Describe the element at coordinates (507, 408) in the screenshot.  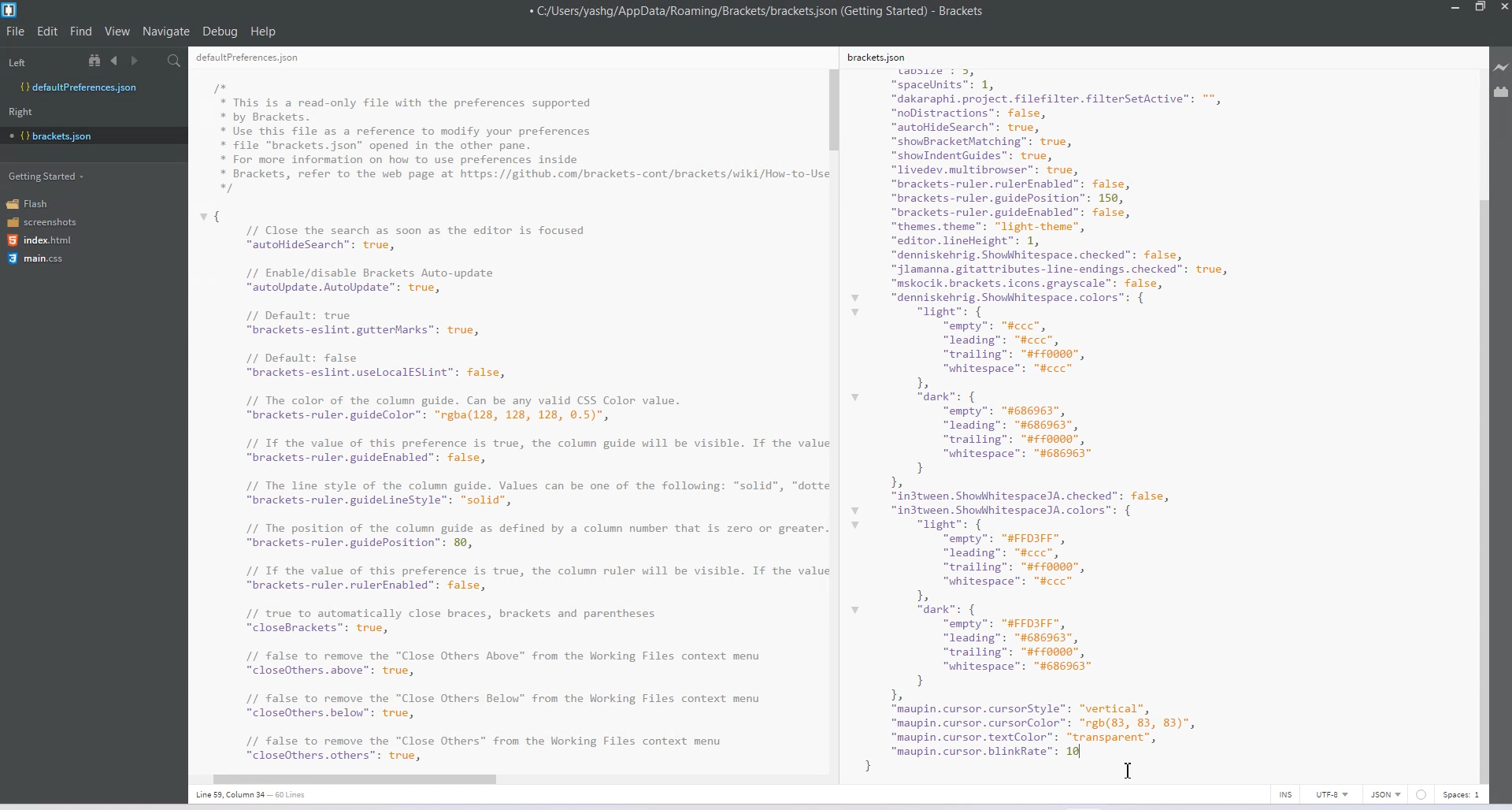
I see `RE I
I”
* This is a read-only file with the preferences supported
* by Brackets.
* Use this file as a reference to modify your preferences
* file "brackets.json" opened in the other pane.
* For more information on how to use preferences inside
* Brackets, refer to the web page at https://github.com/brackets-cont/brackets/wiki/How-to-U:
*/
{
// Close the search as soon as the editor is focused
“autoHideSearch”: true,
// Enable/disable Brackets Auto-update
“autoUpdate. AutoUpdate”: true,
// Default: true
“brackets-eslint.gutterMarks": true,
// Default: false
“brackets-eslint.uselocalESLint": false,
// The color of the column guide. Can be any valid CSS Color value.
“brackets-ruler.guideColor": "rgba(128, 128, 128, ©.5)",
// Tf the value of this preference is true, the column guide will be visible. If the val:
“brackets-ruler.guideEnabled": false,
// The line style of the column guide. Values can be one of the following: “solid”, "dott
“brackets-ruler.guidelineStyle": "solid",
// The position of the column guide as defined by a column number that is zero or greater
“brackets-ruler.guidePosition": 89,
// Tf the value of this preference is true, the column ruler will be visible. If the val:
“brackets-ruler.rulerEnabled": false,
// true to automatically close braces, brackets and parentheses
“closeBrackets": true,
// false to remove the "Close Others Above” from the Working Files context menu
“closeOthers.above": true,
// false to remove the "Close Others Below” from the Working Files context menu
“closeOthers.below": true,
// false to remove the "Close Others” from the Working Files context menu
"closeOthers.others”: true,` at that location.